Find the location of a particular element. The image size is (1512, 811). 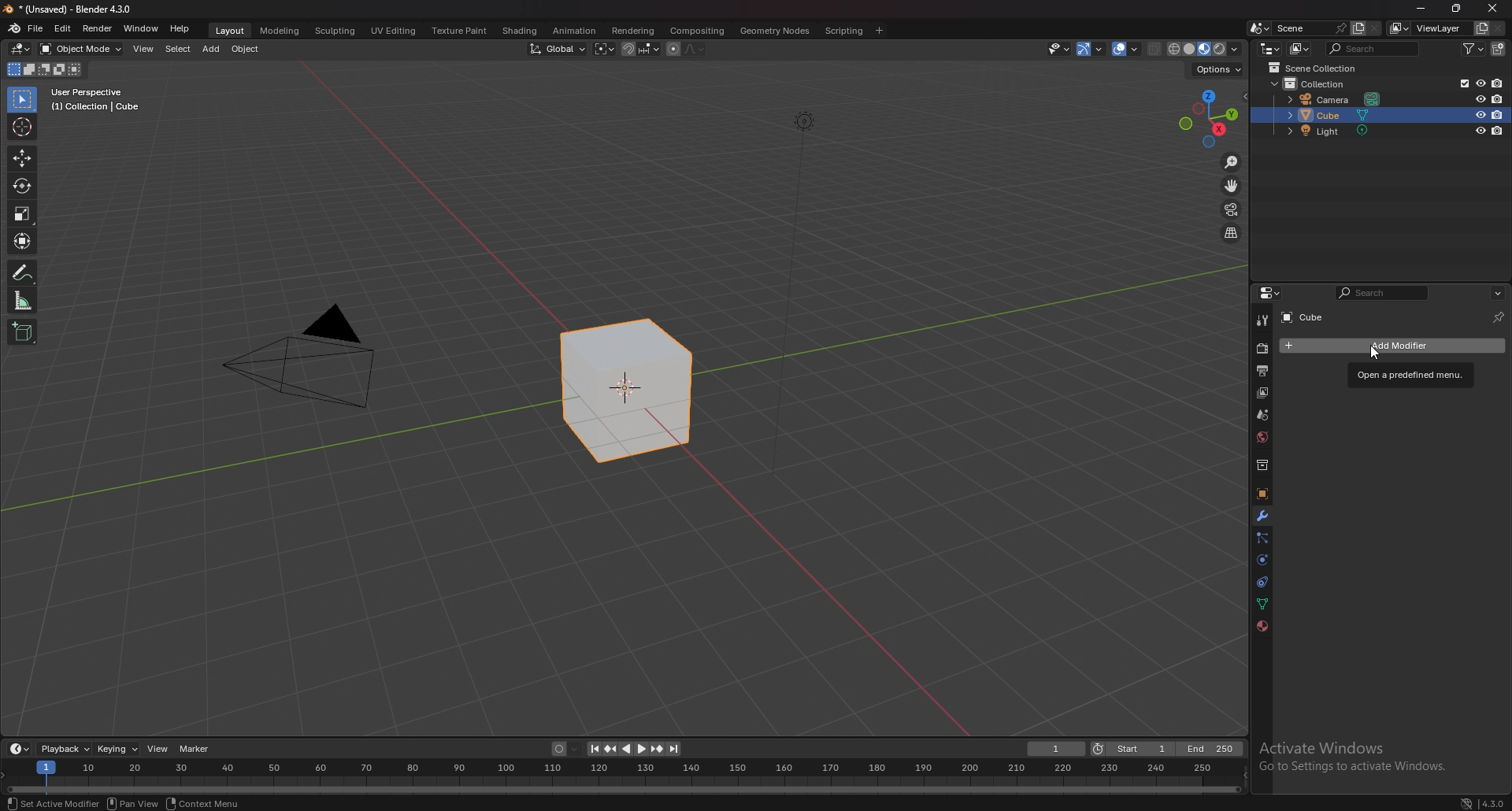

modes is located at coordinates (44, 69).